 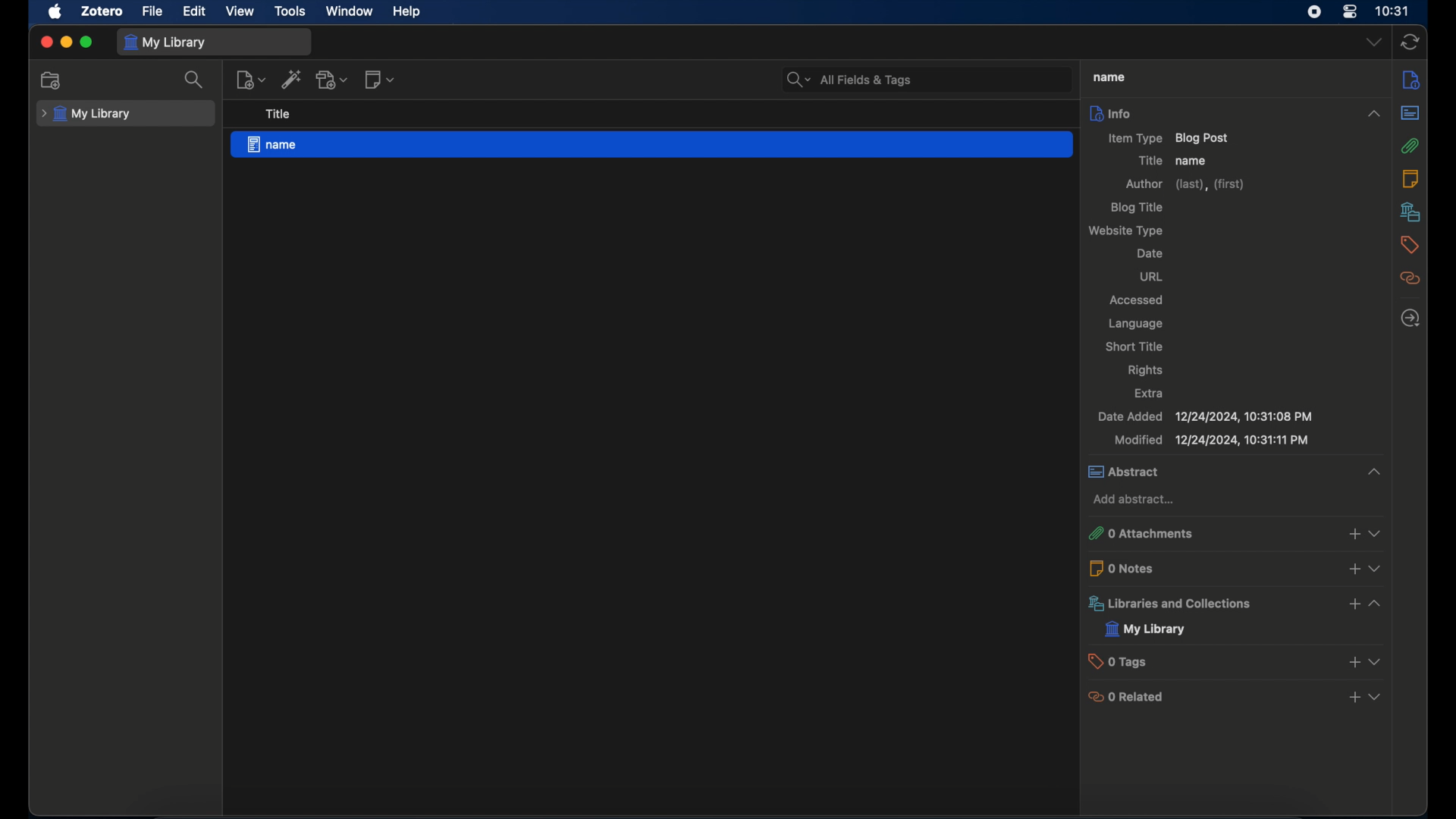 I want to click on new item, so click(x=251, y=80).